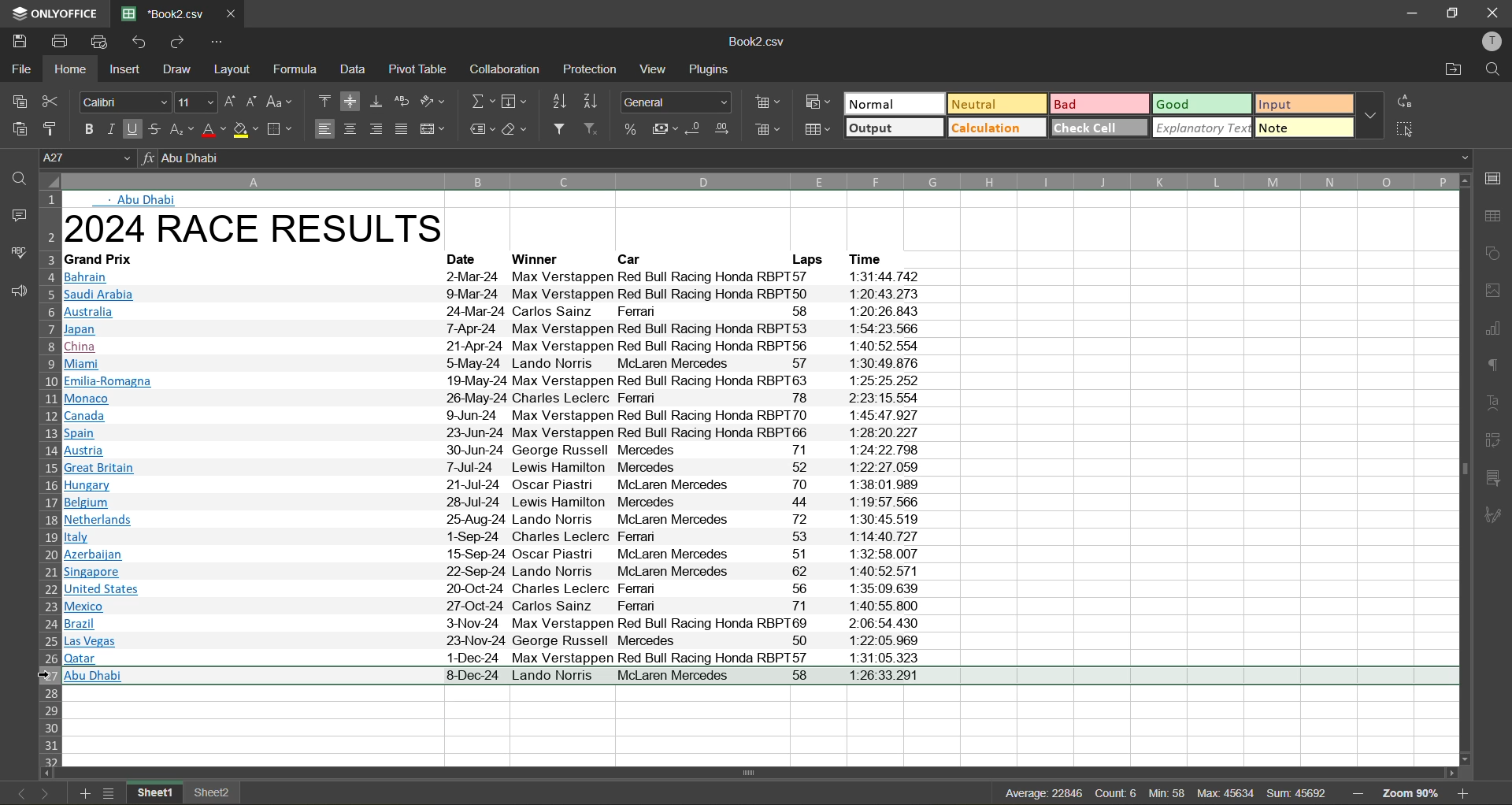 The image size is (1512, 805). I want to click on text info, so click(145, 200).